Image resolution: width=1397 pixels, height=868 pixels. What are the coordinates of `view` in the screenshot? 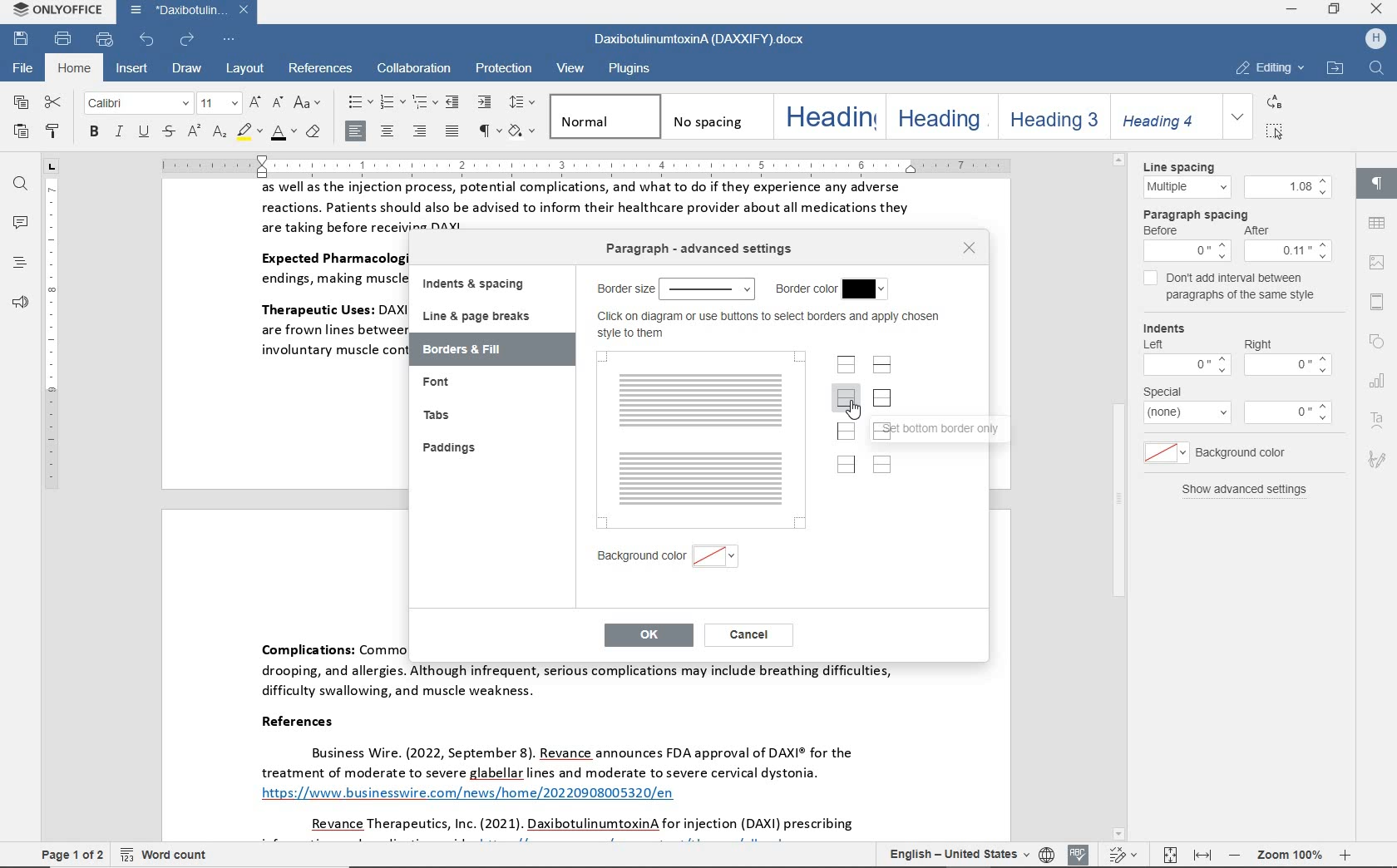 It's located at (572, 70).